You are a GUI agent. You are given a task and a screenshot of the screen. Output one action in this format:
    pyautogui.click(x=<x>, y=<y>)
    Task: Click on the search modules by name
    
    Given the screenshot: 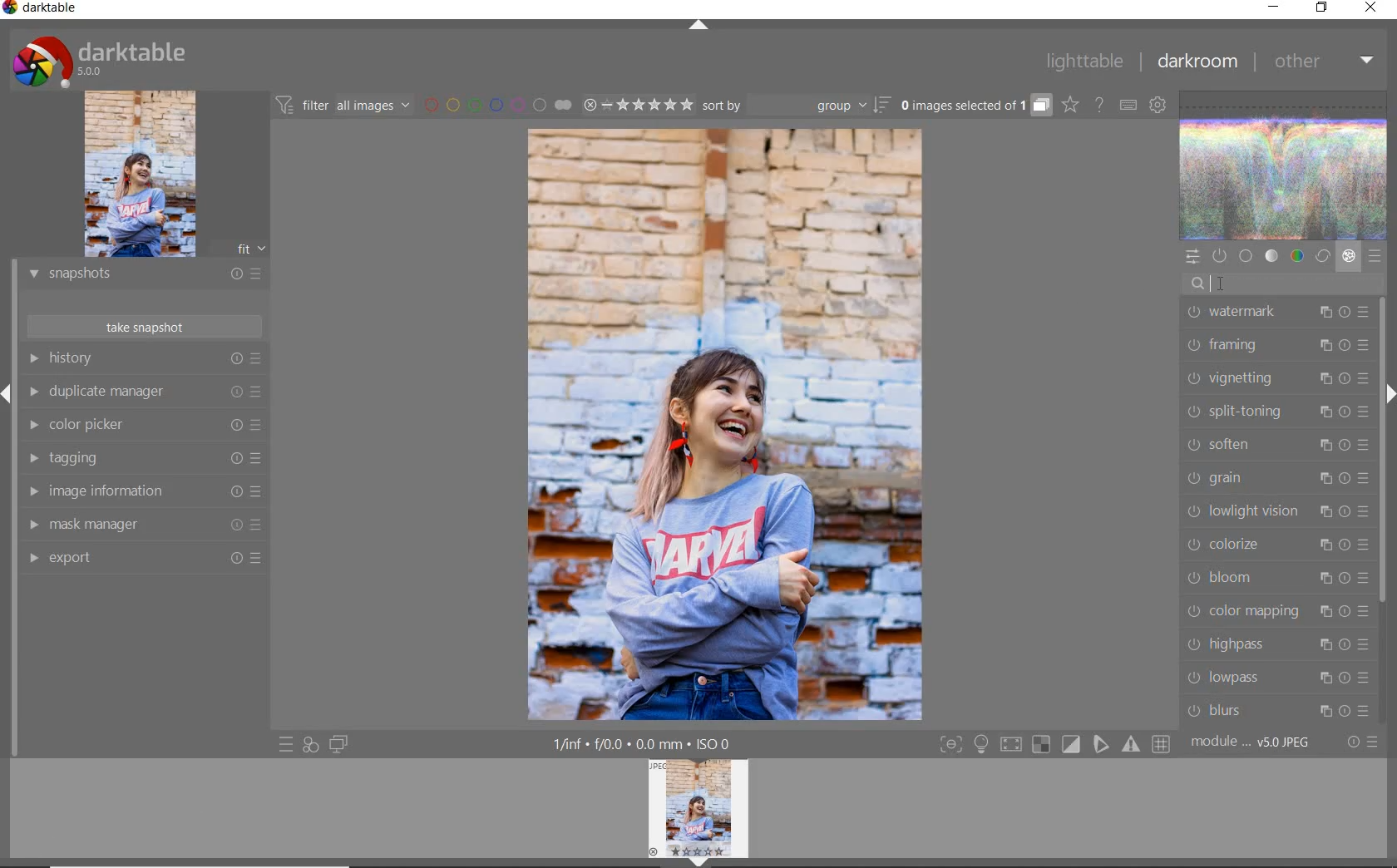 What is the action you would take?
    pyautogui.click(x=1282, y=283)
    